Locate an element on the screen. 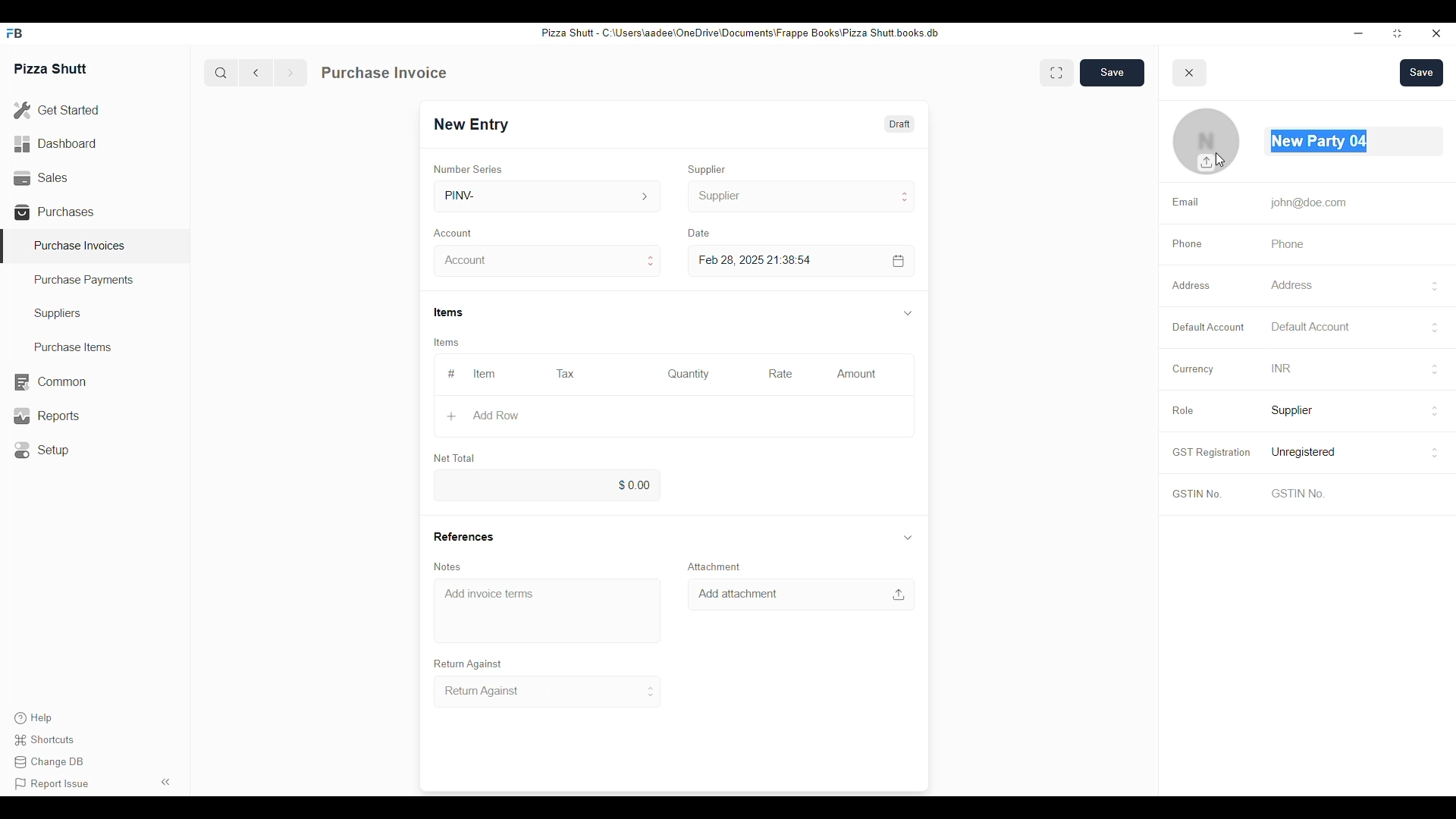 This screenshot has width=1456, height=819. Items is located at coordinates (450, 312).